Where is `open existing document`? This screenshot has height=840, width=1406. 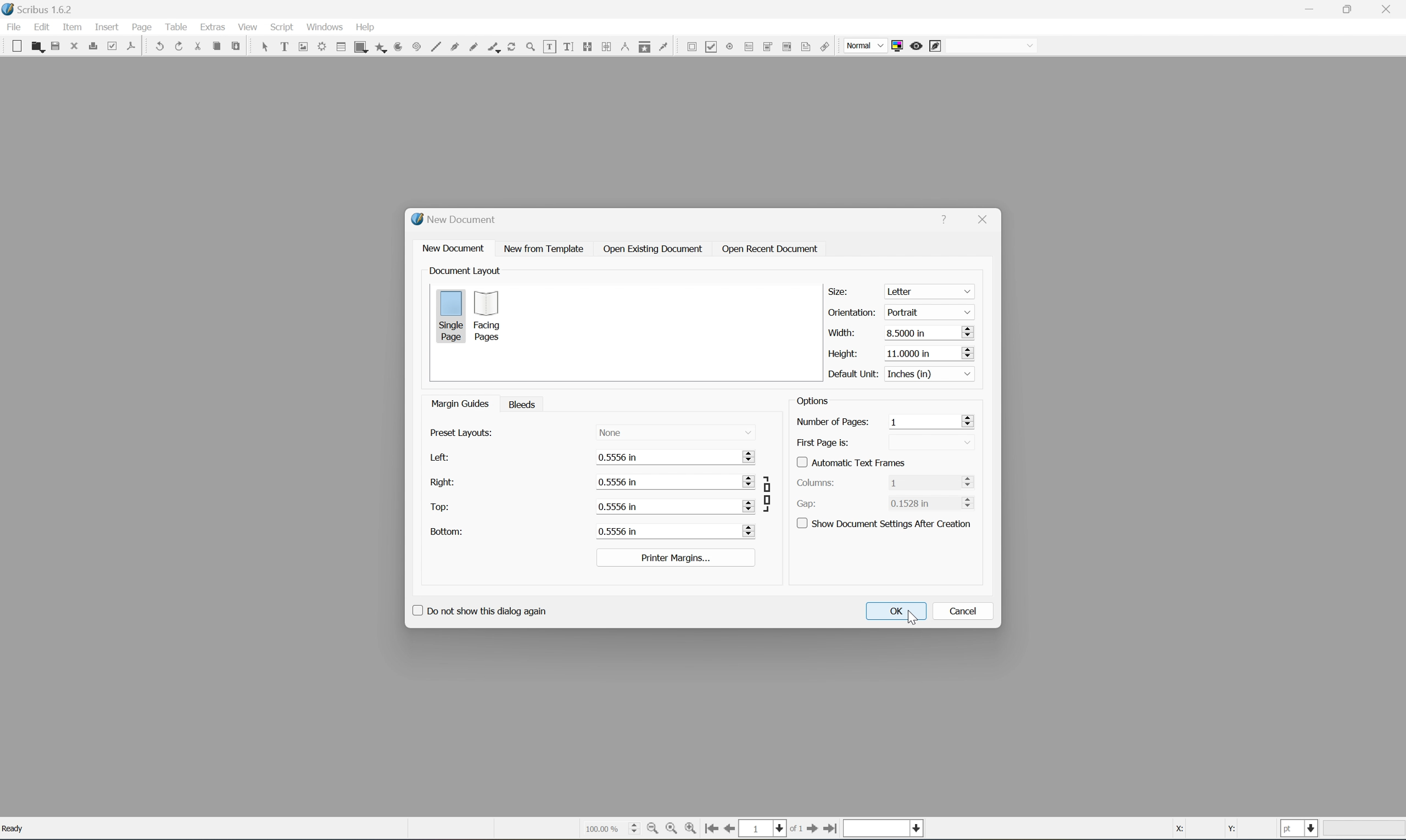
open existing document is located at coordinates (655, 249).